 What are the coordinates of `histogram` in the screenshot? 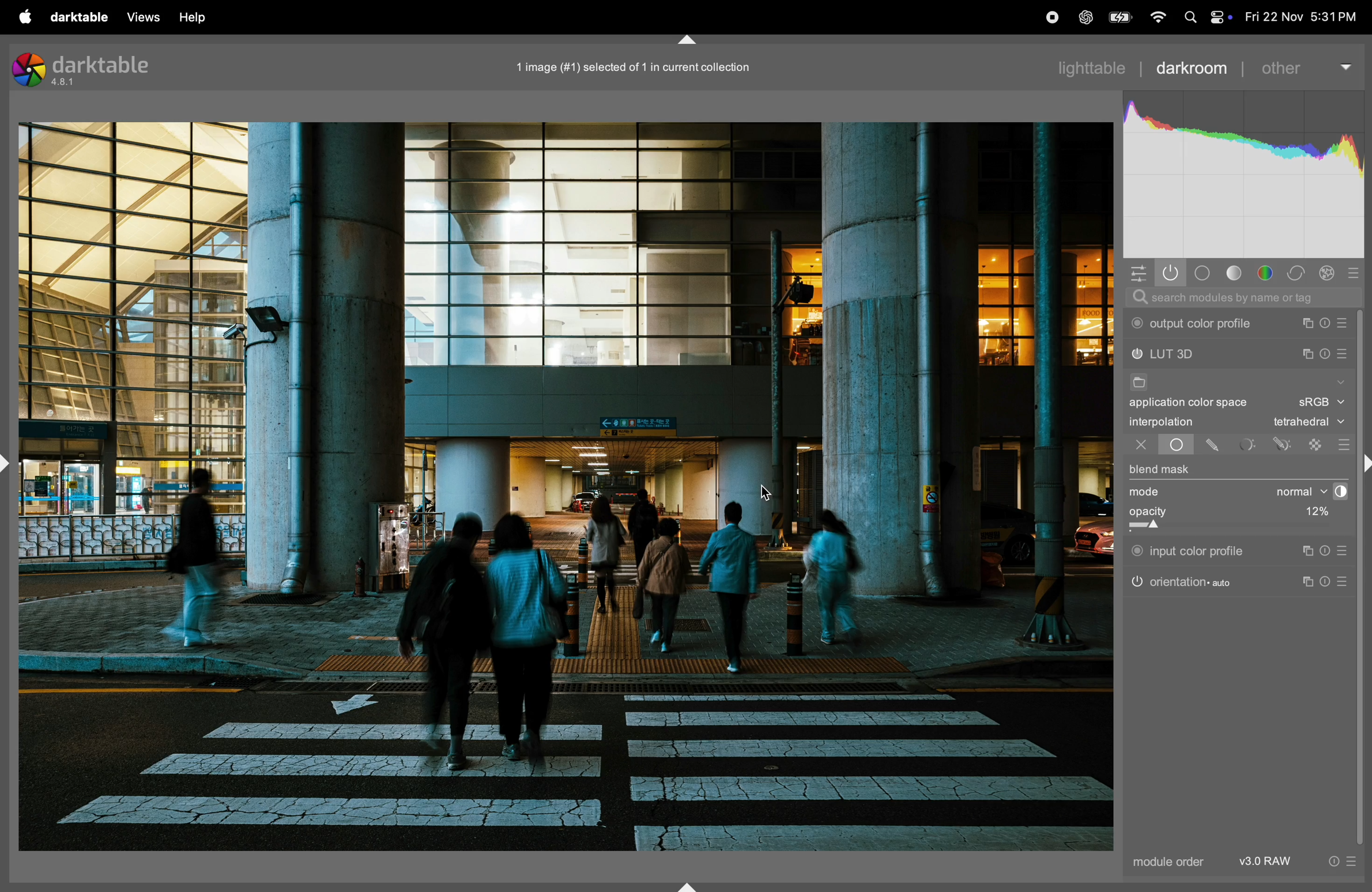 It's located at (1245, 176).